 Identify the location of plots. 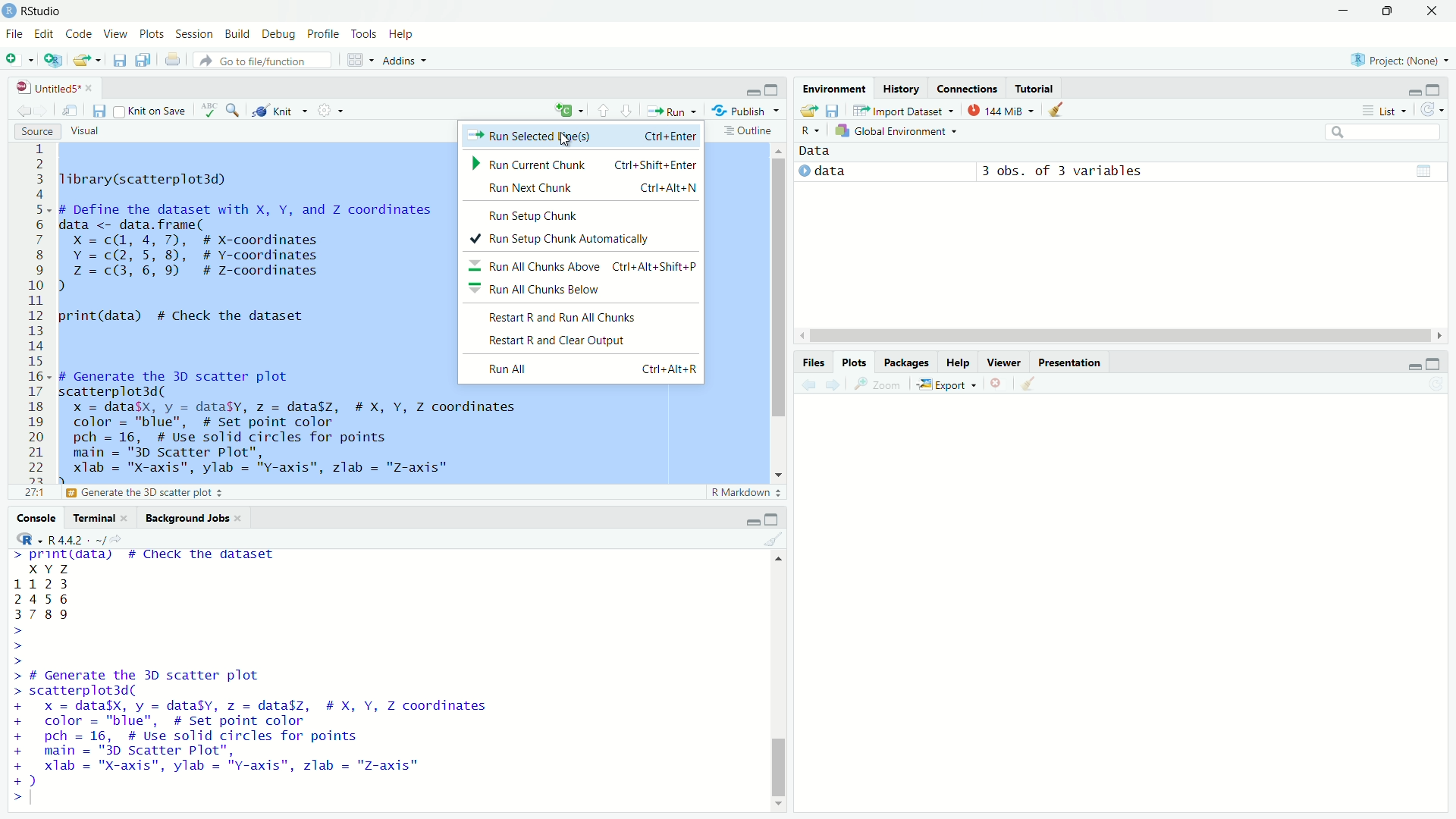
(855, 362).